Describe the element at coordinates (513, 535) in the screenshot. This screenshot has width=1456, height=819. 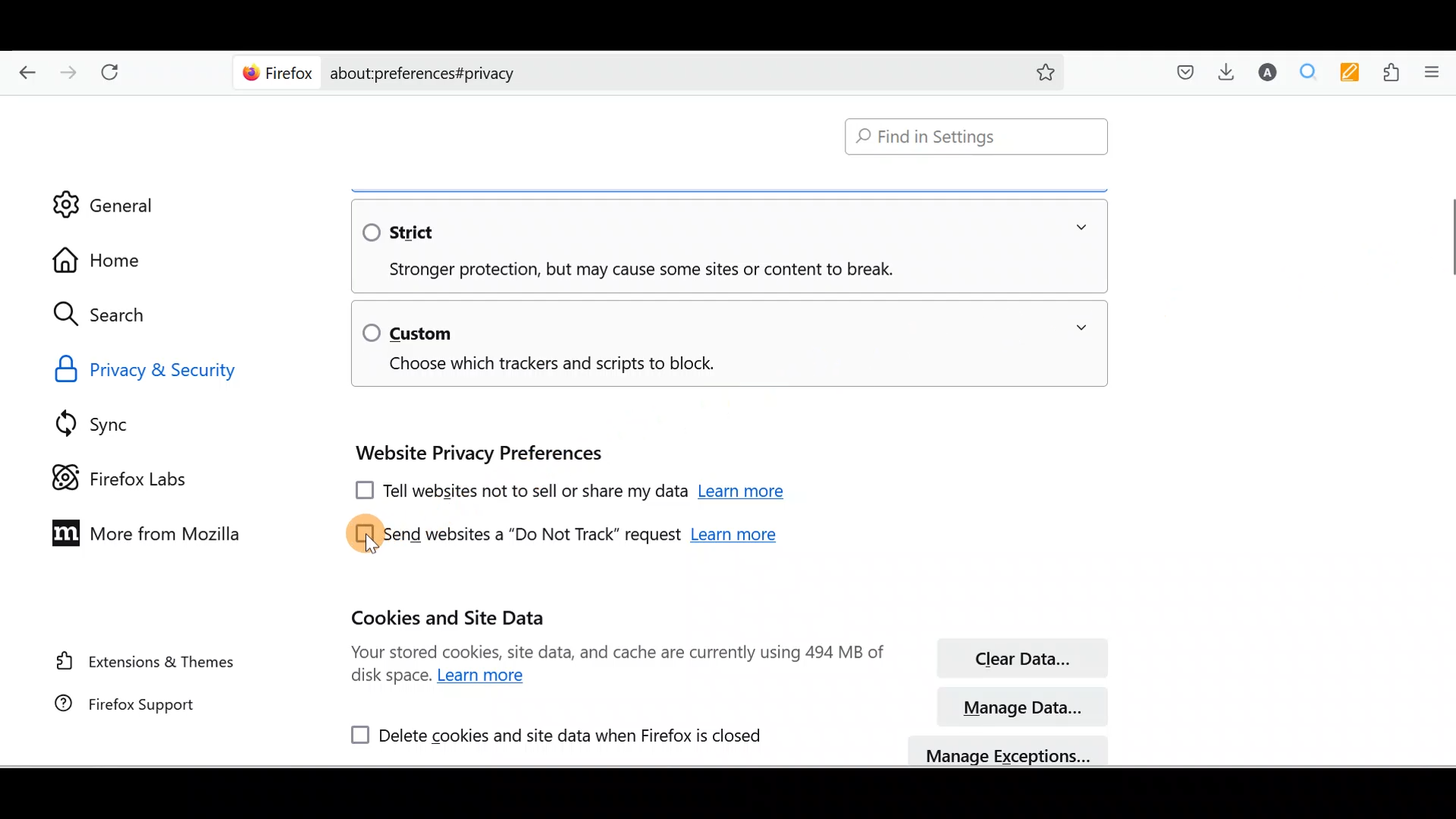
I see `Send websites a "Do Not Track" request.` at that location.